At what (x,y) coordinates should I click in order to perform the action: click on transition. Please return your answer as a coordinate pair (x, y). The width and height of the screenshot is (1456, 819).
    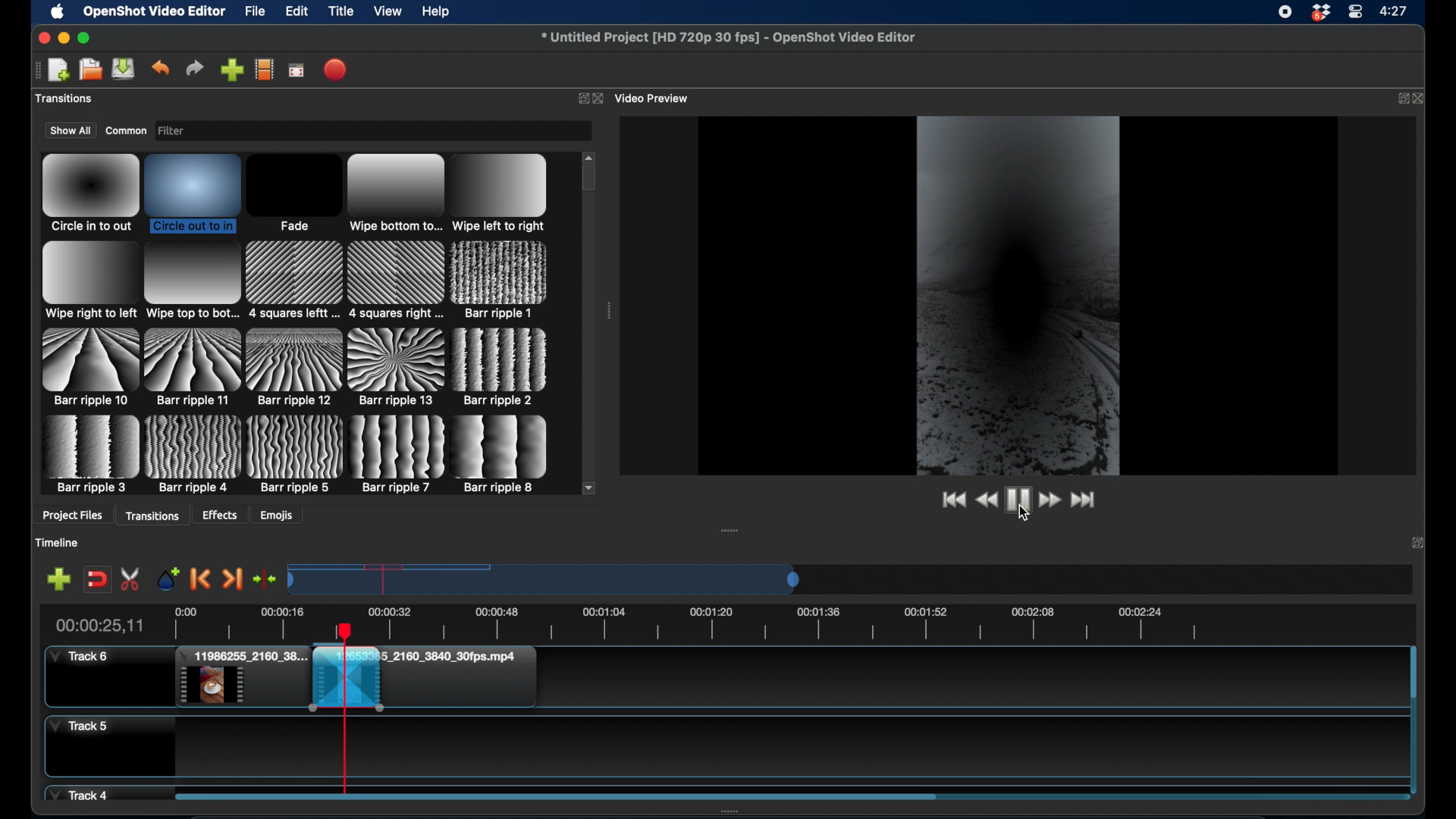
    Looking at the image, I should click on (90, 193).